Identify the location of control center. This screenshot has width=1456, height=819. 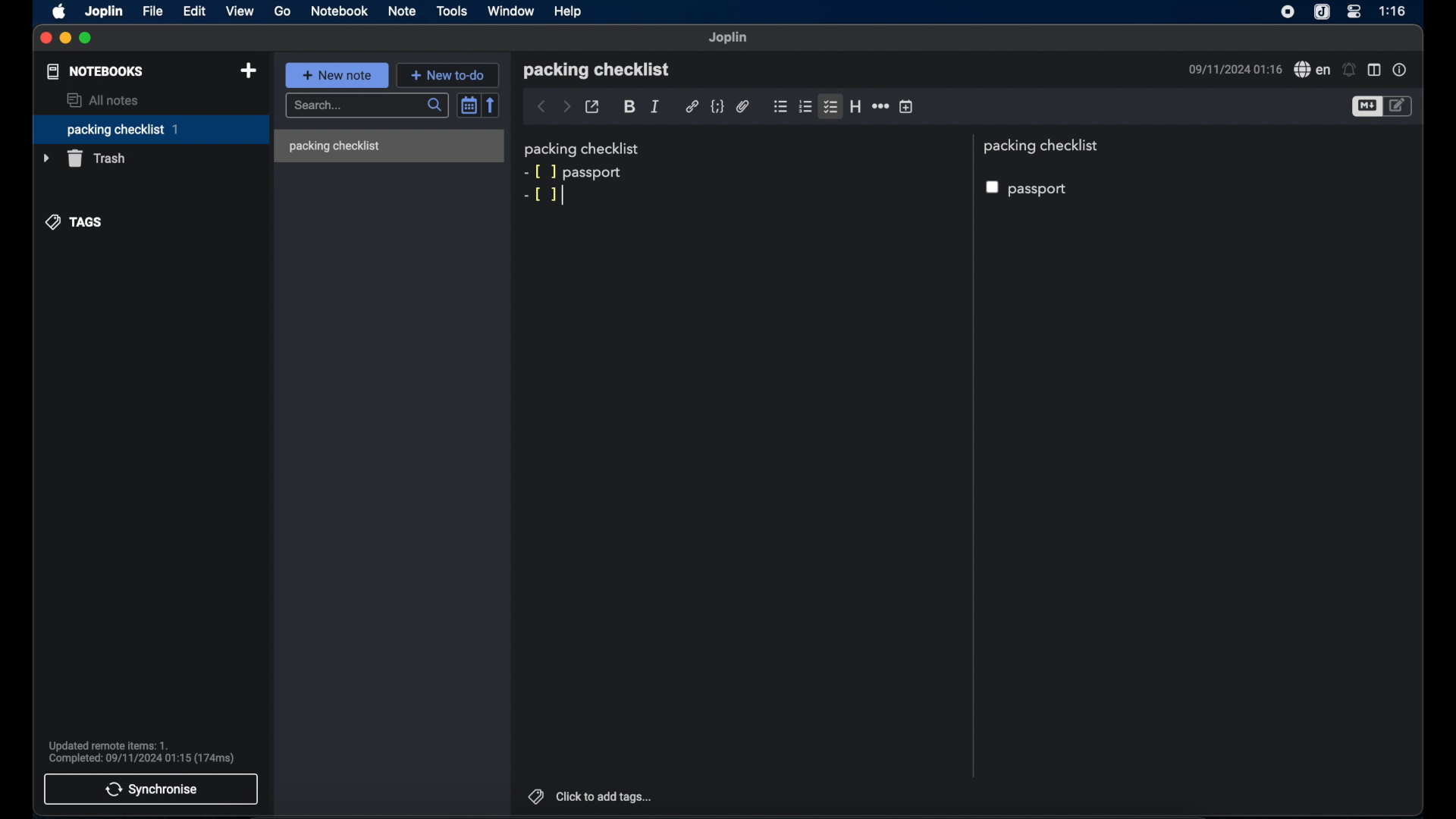
(1355, 11).